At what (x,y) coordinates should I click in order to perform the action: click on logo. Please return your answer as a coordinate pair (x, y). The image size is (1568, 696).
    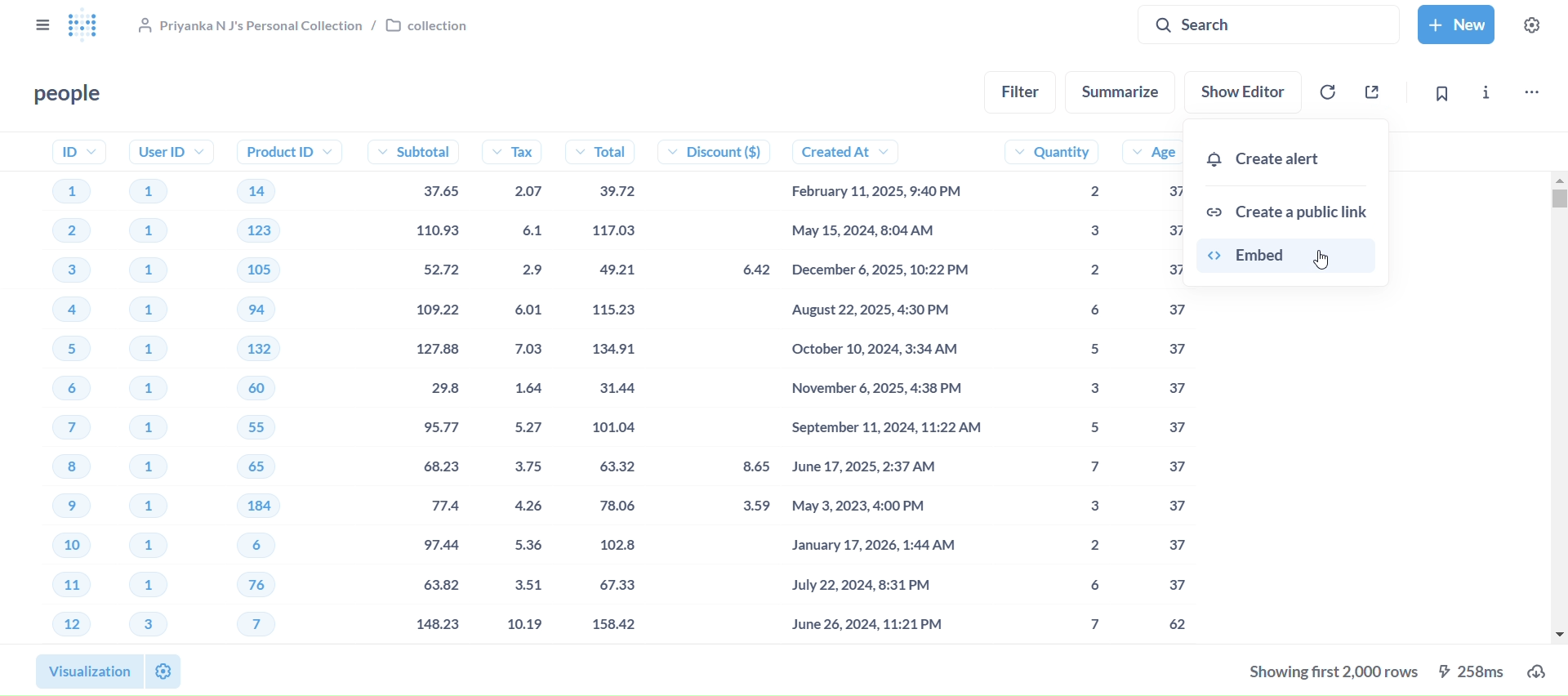
    Looking at the image, I should click on (91, 26).